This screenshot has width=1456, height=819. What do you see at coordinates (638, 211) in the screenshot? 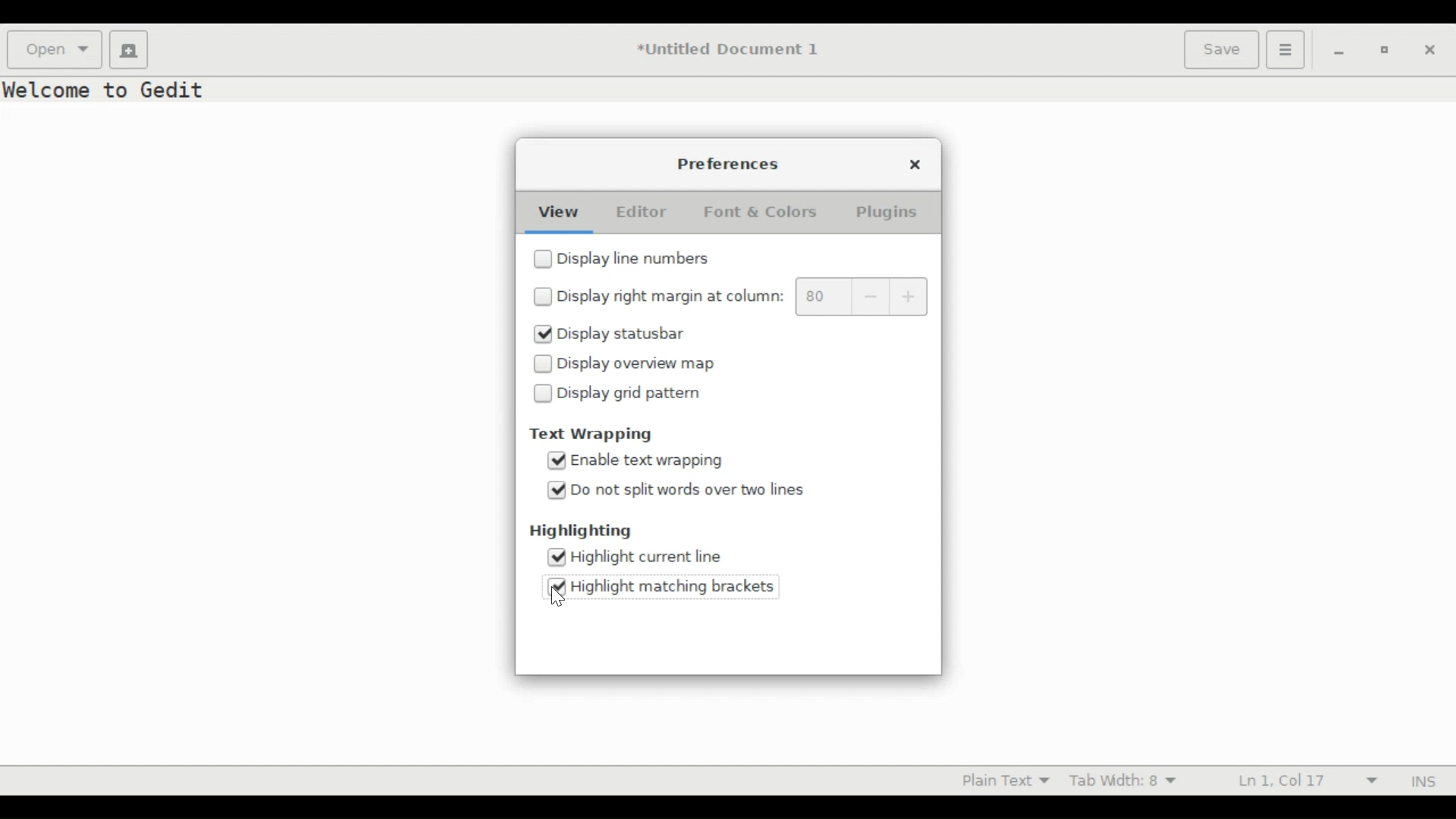
I see `Editor` at bounding box center [638, 211].